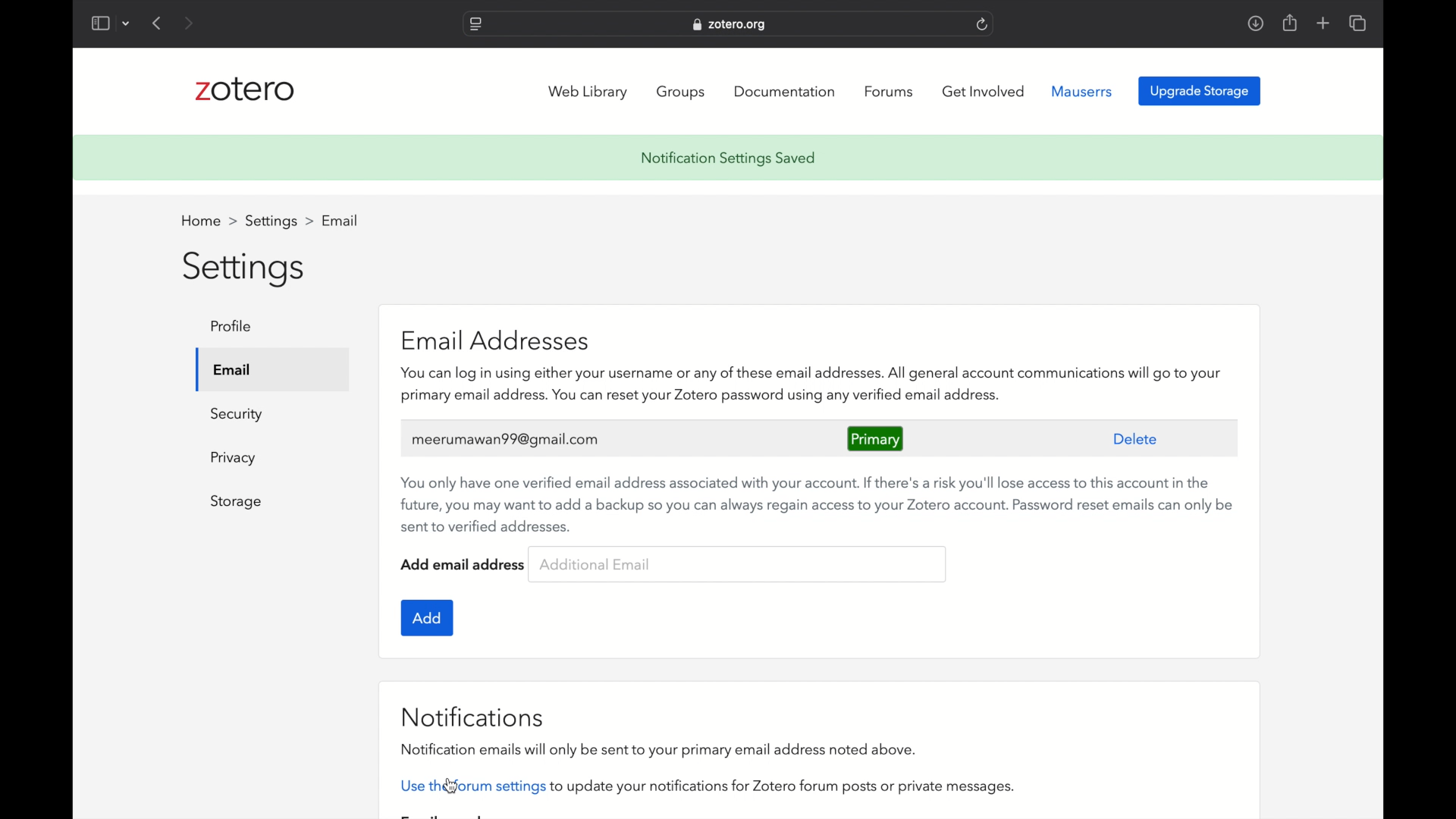  What do you see at coordinates (237, 502) in the screenshot?
I see `storage` at bounding box center [237, 502].